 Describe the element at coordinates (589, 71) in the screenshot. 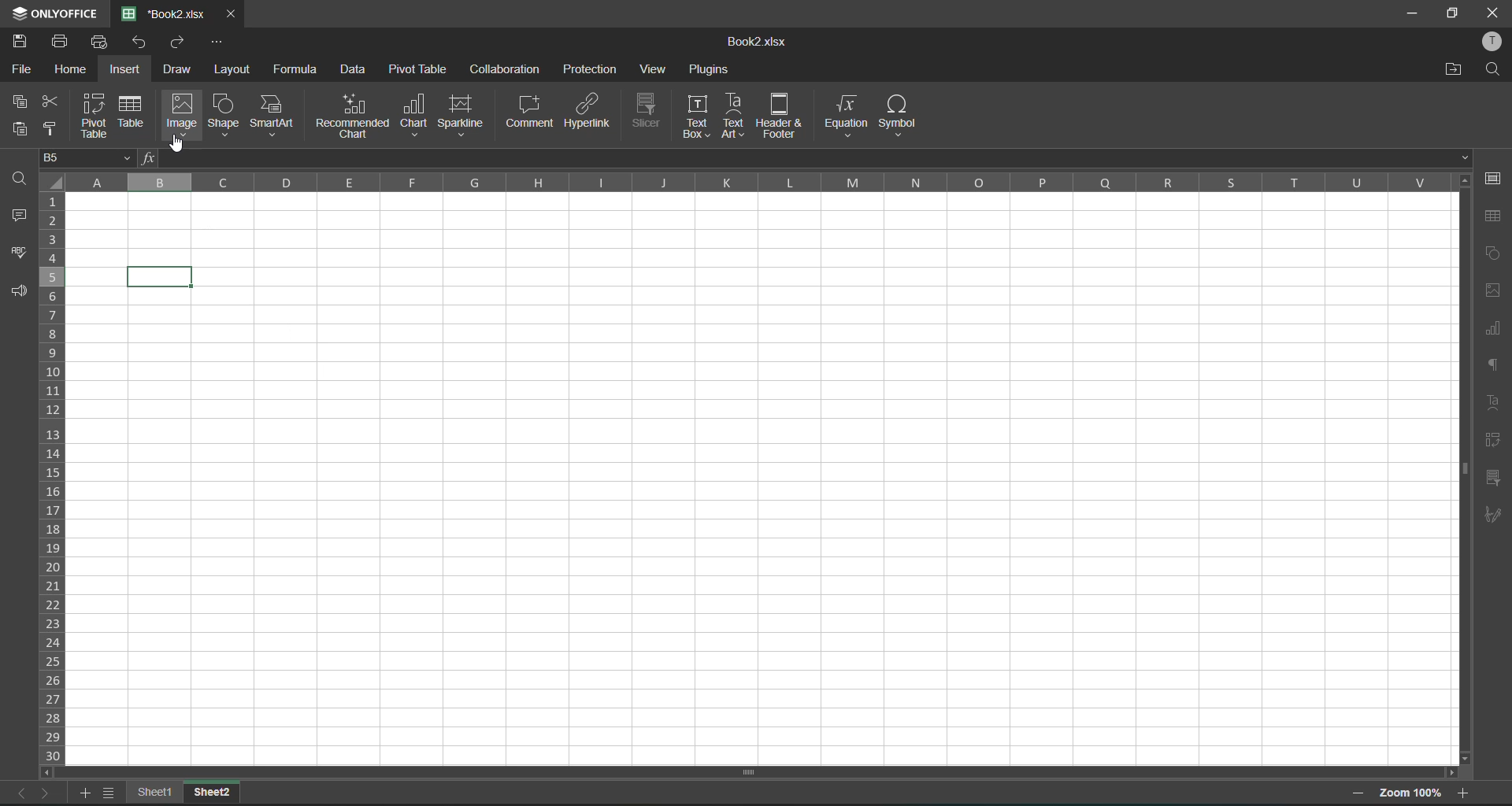

I see `protection` at that location.